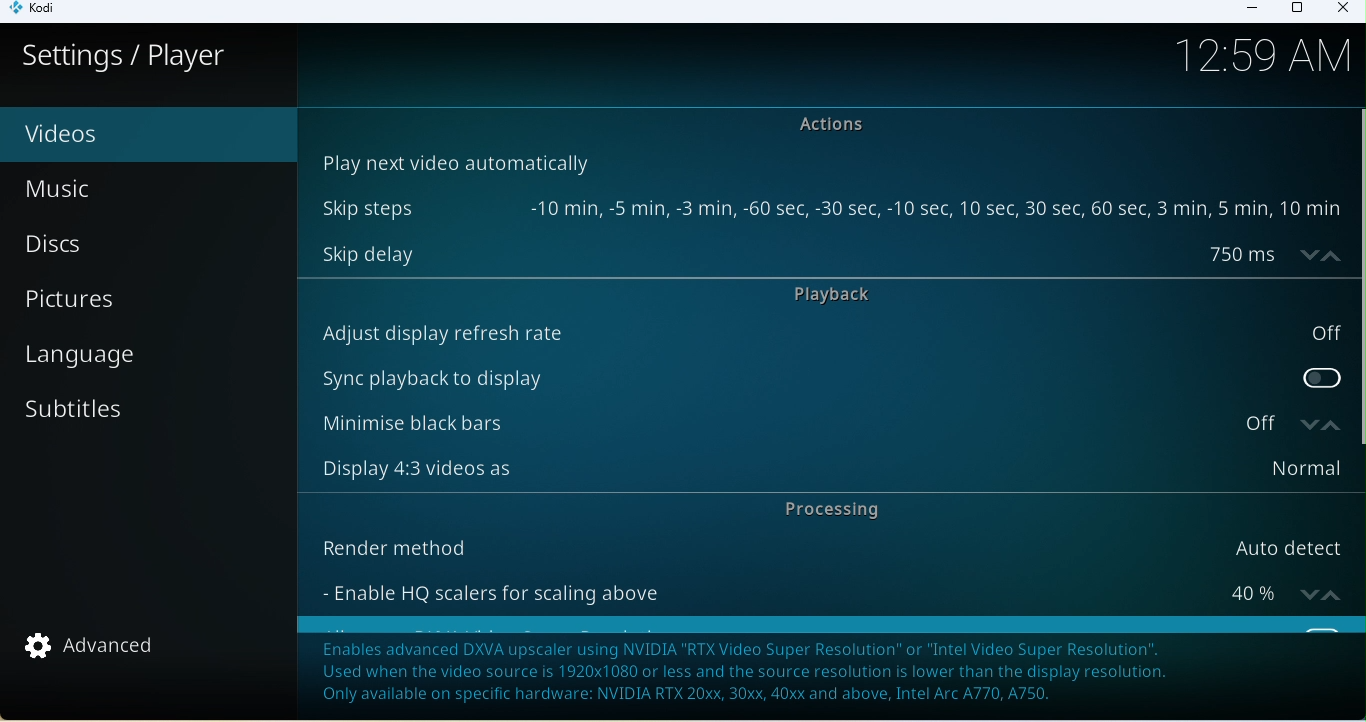 Image resolution: width=1366 pixels, height=722 pixels. I want to click on Minimize black bars, so click(793, 424).